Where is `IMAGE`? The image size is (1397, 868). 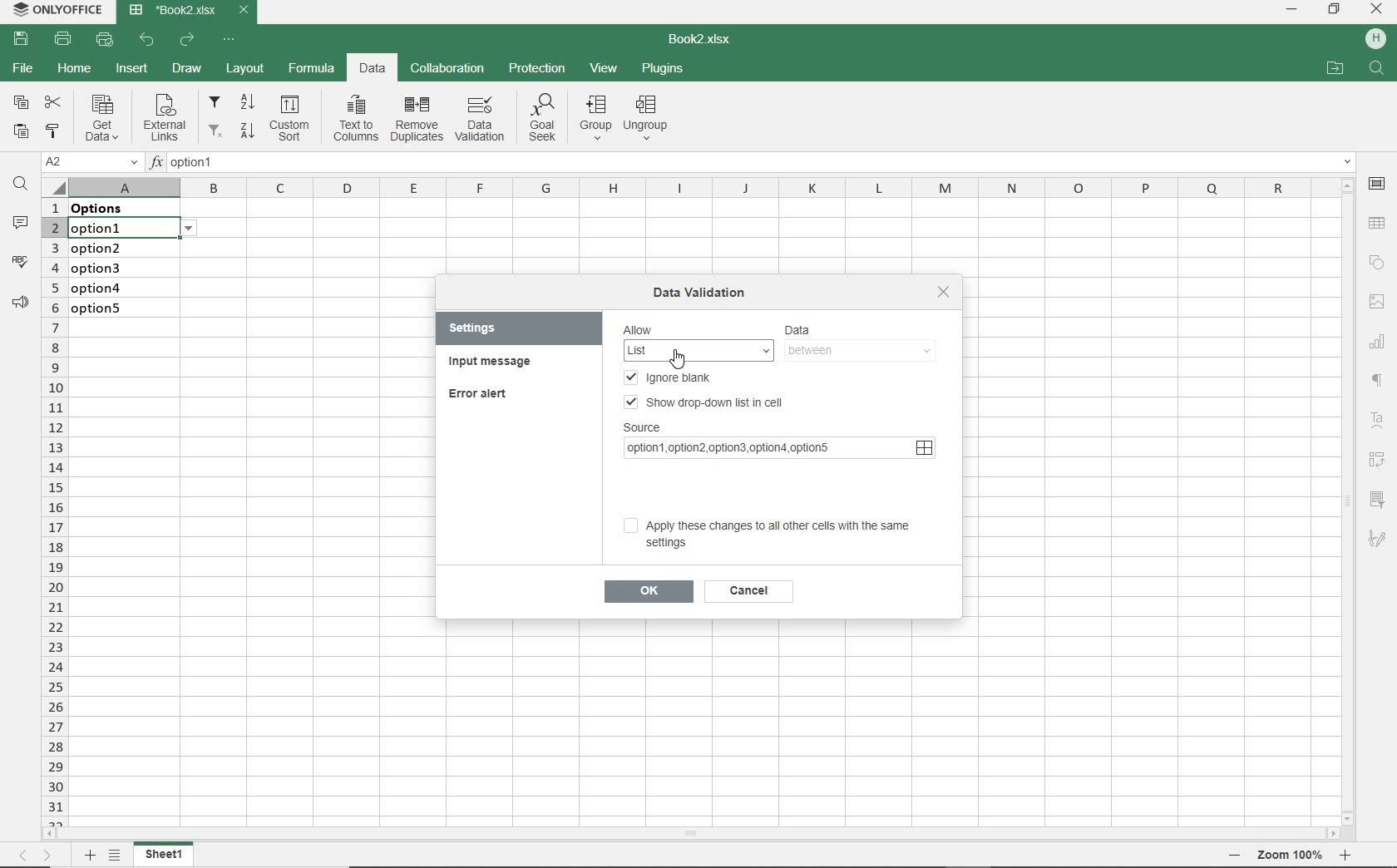
IMAGE is located at coordinates (1379, 302).